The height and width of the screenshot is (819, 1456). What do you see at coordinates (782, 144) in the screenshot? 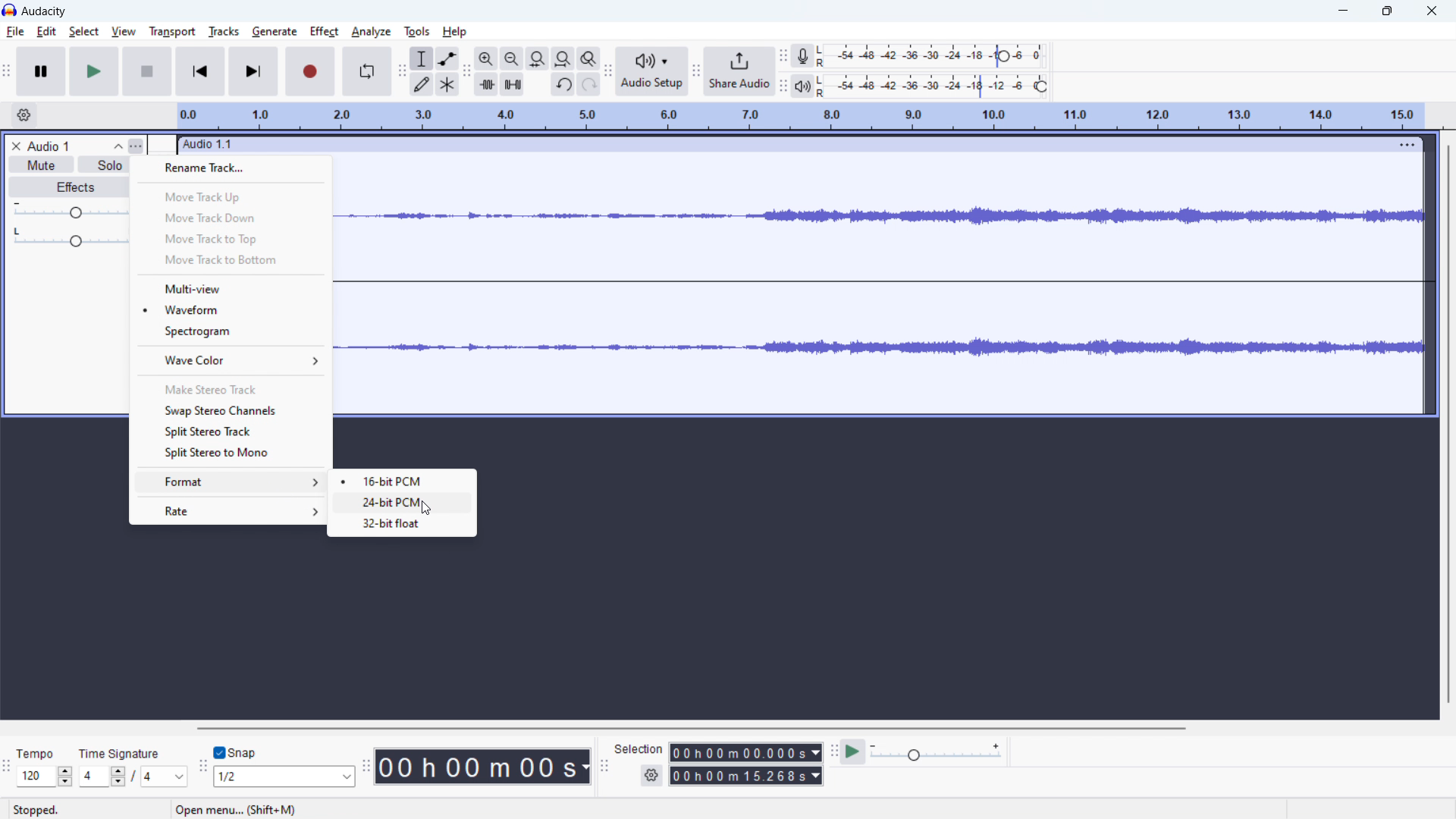
I see `hold to move` at bounding box center [782, 144].